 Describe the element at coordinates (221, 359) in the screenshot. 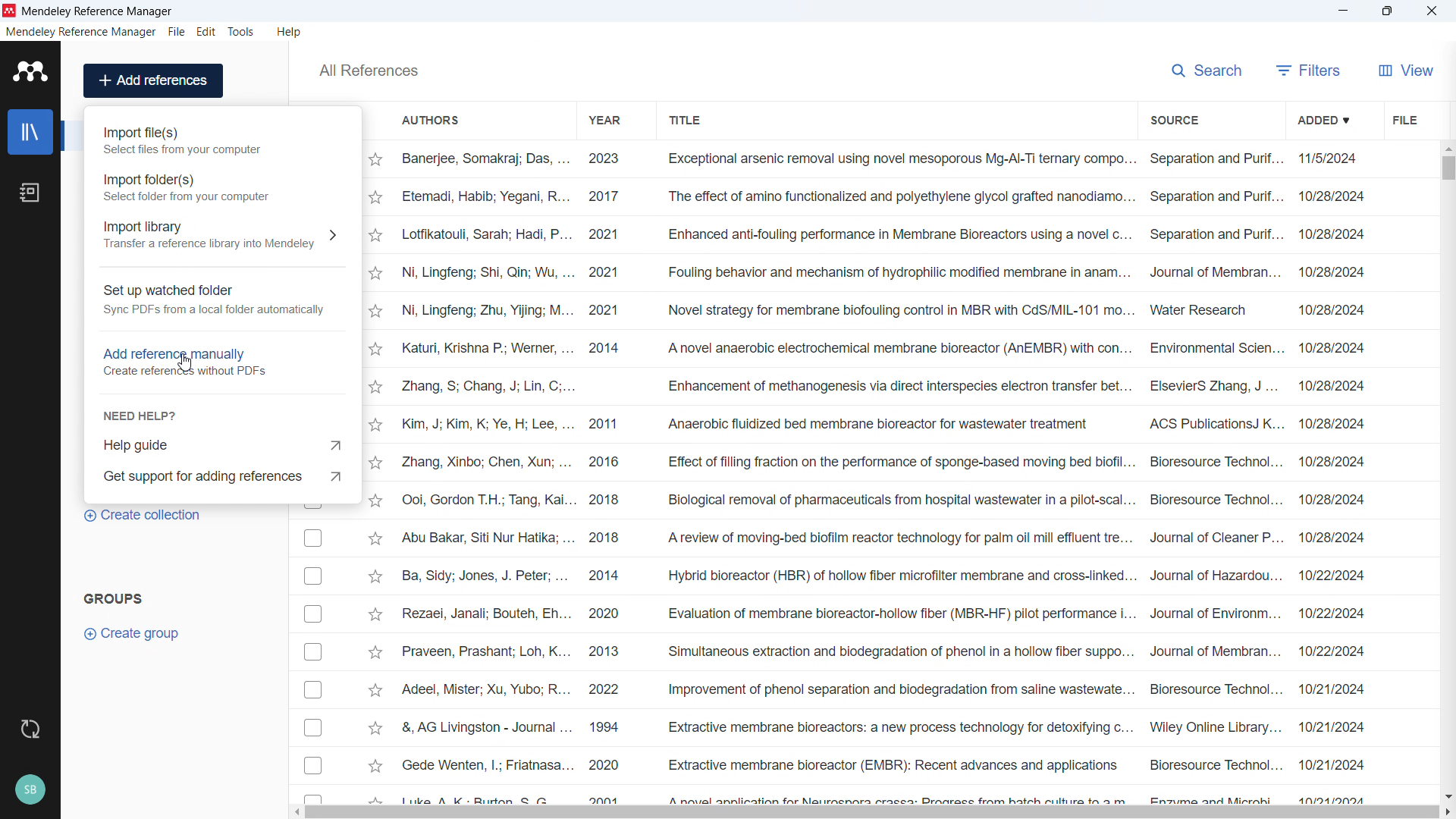

I see `Add references manually ` at that location.